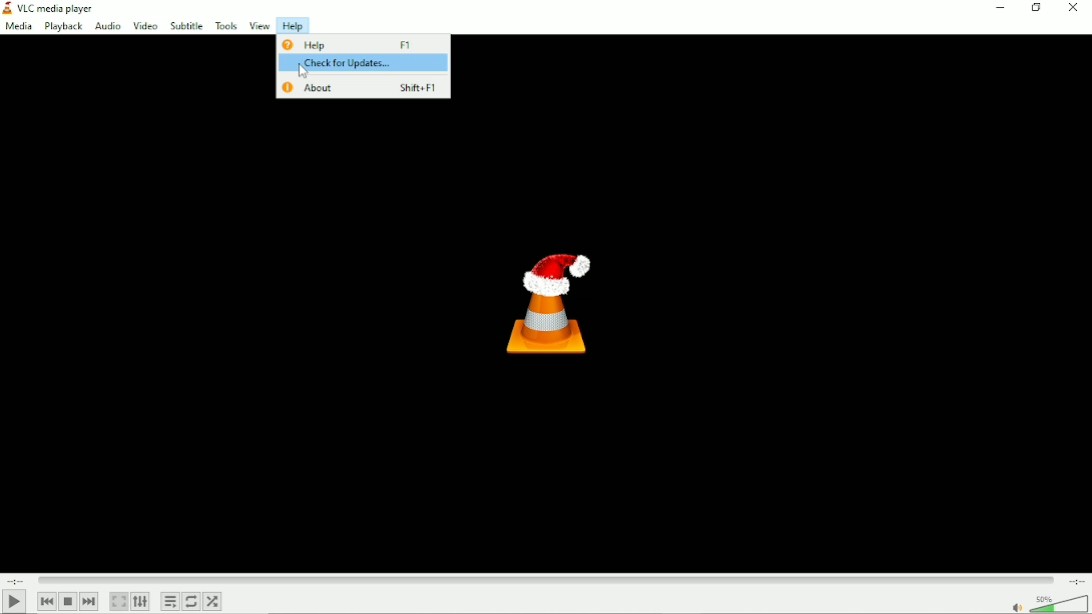  I want to click on Cursor, so click(295, 35).